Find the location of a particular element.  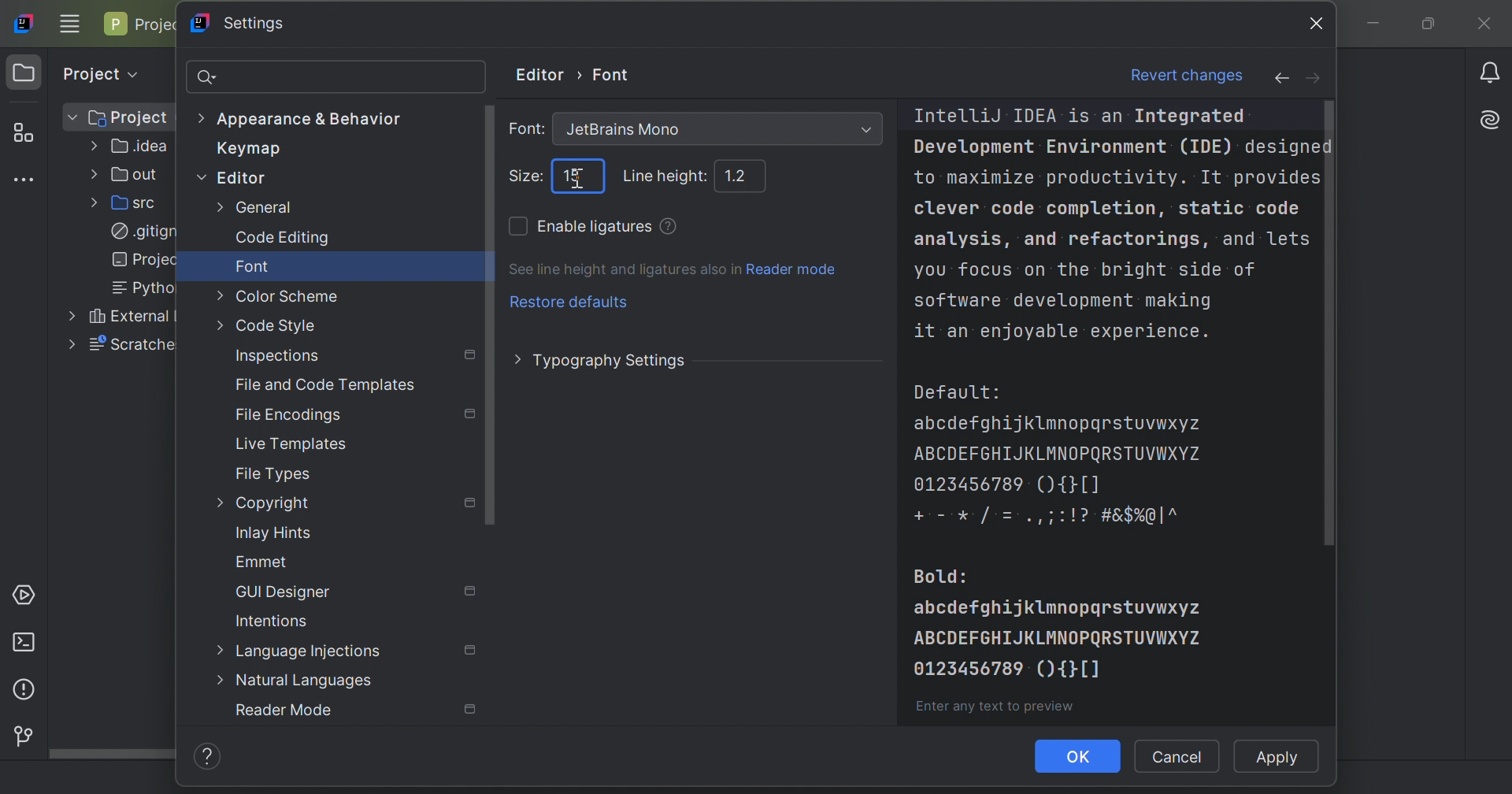

Project is located at coordinates (24, 73).